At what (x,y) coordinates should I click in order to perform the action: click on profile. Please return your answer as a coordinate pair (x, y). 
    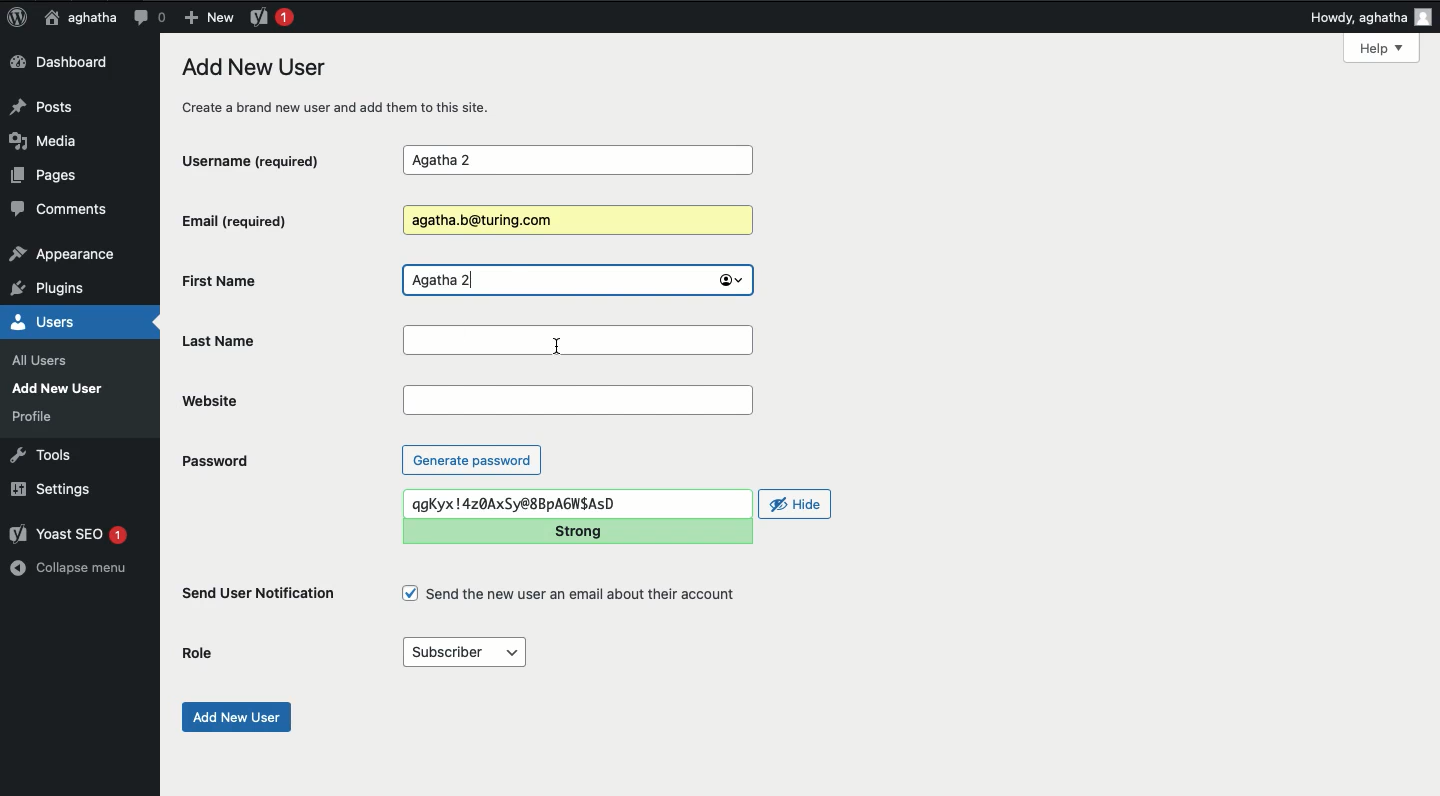
    Looking at the image, I should click on (38, 416).